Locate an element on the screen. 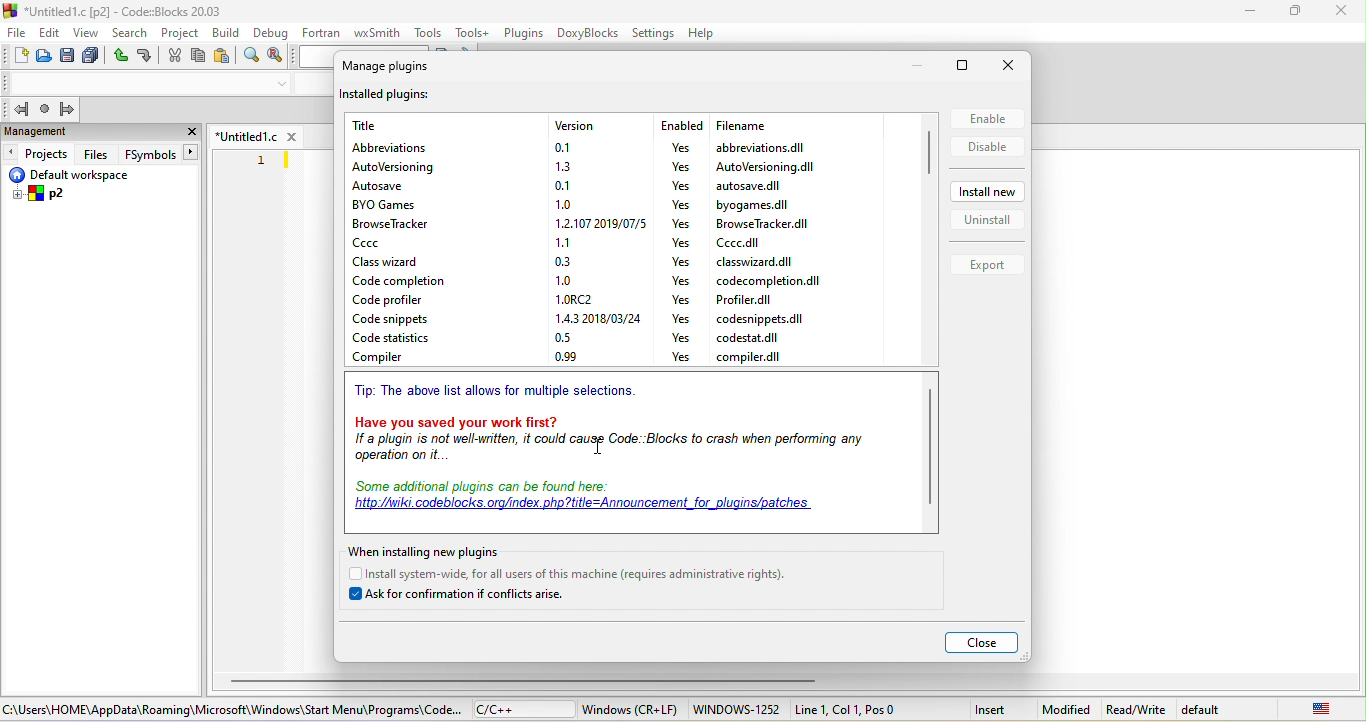  Yes is located at coordinates (682, 204).